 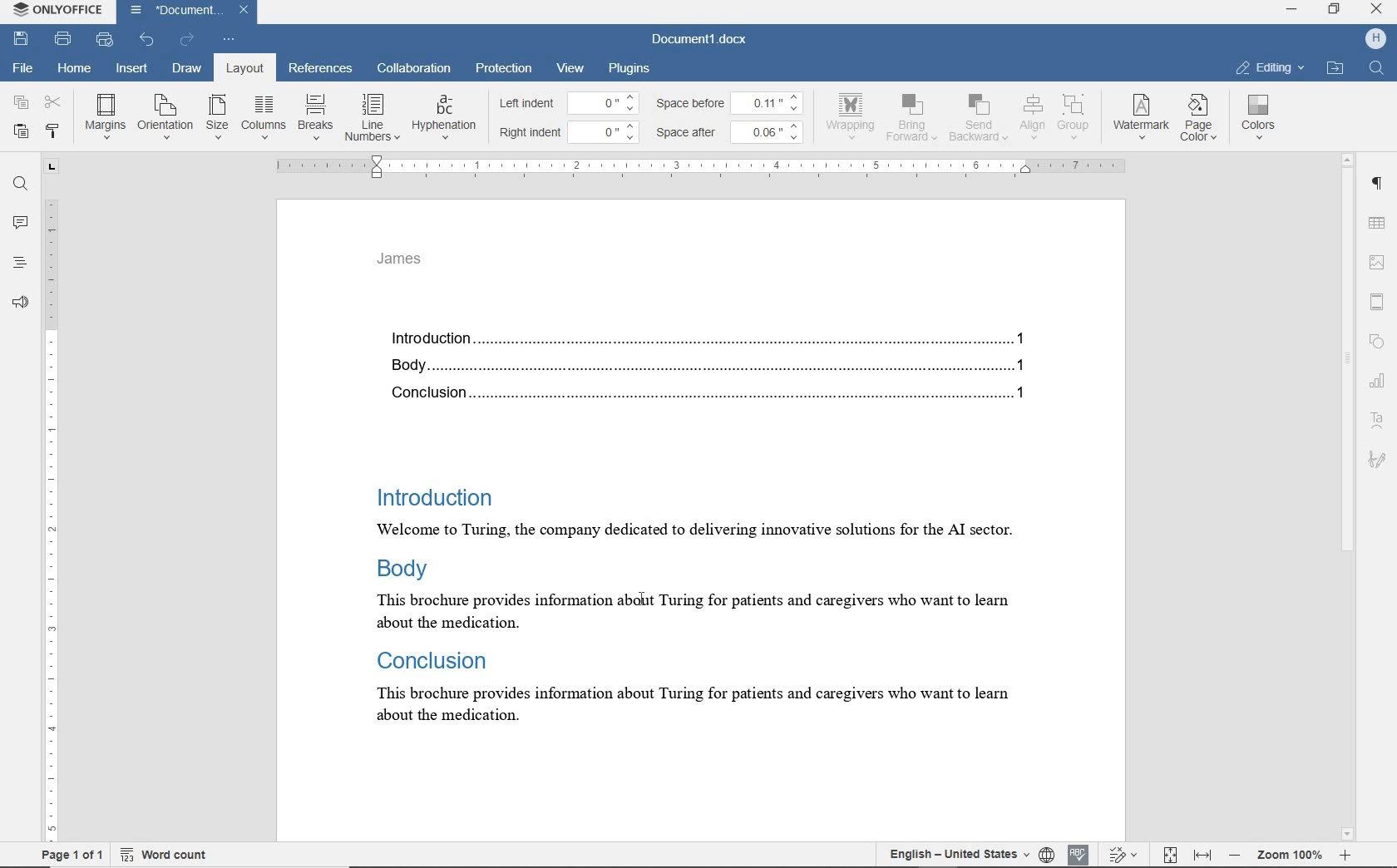 What do you see at coordinates (407, 264) in the screenshot?
I see `header text` at bounding box center [407, 264].